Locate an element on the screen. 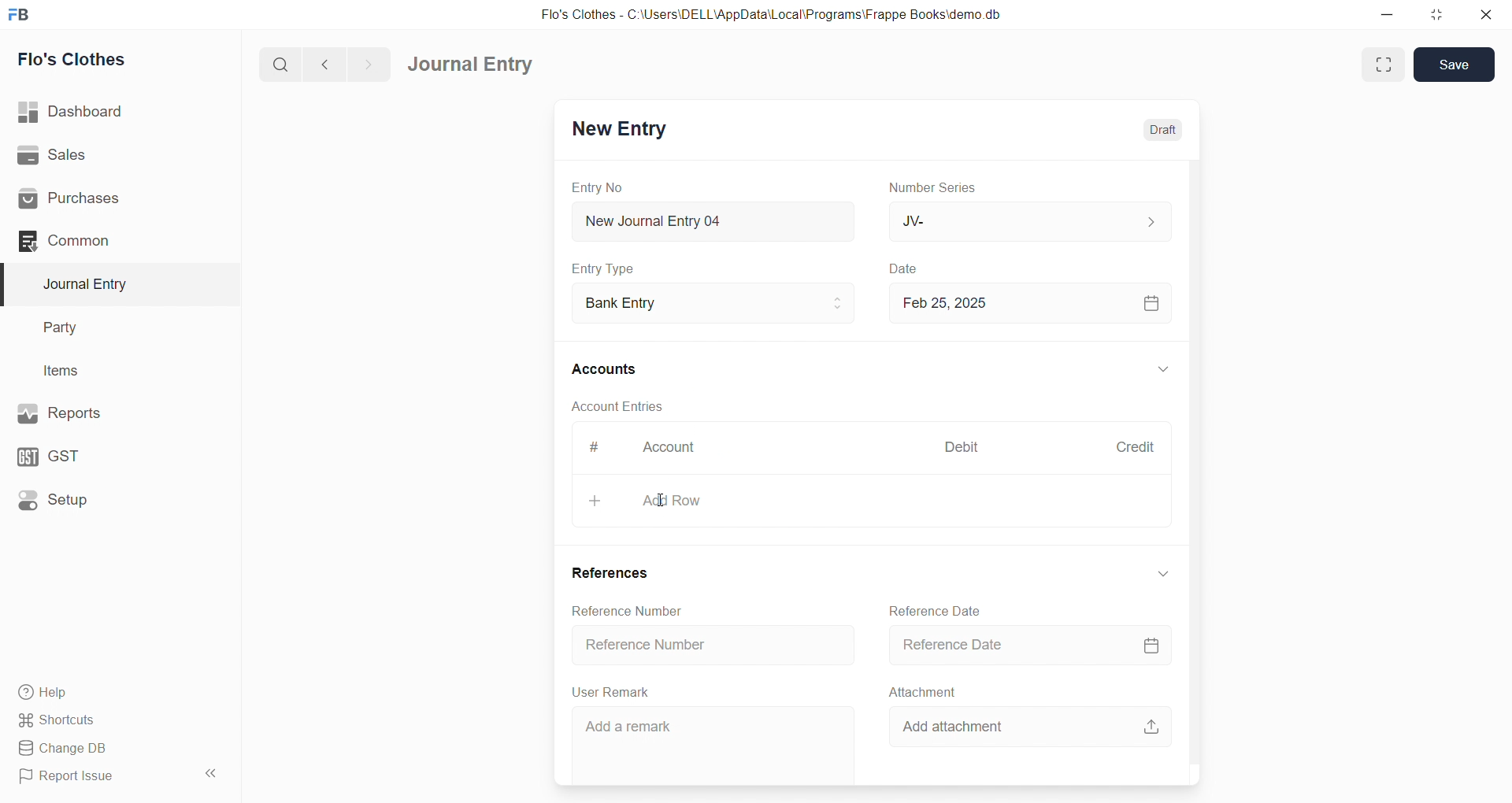 The image size is (1512, 803). Bank Entry is located at coordinates (712, 304).